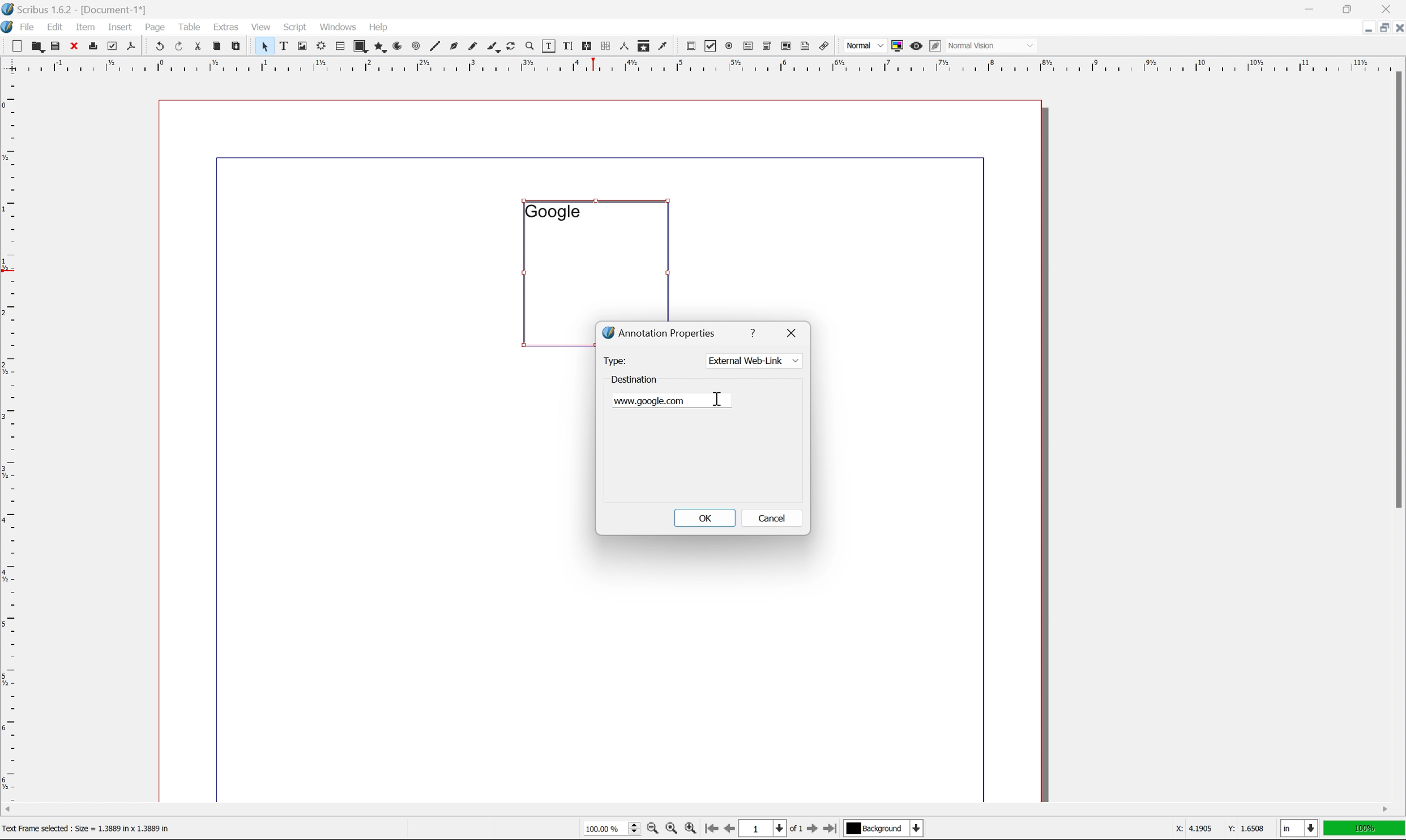 The height and width of the screenshot is (840, 1406). Describe the element at coordinates (805, 46) in the screenshot. I see `text annotation` at that location.